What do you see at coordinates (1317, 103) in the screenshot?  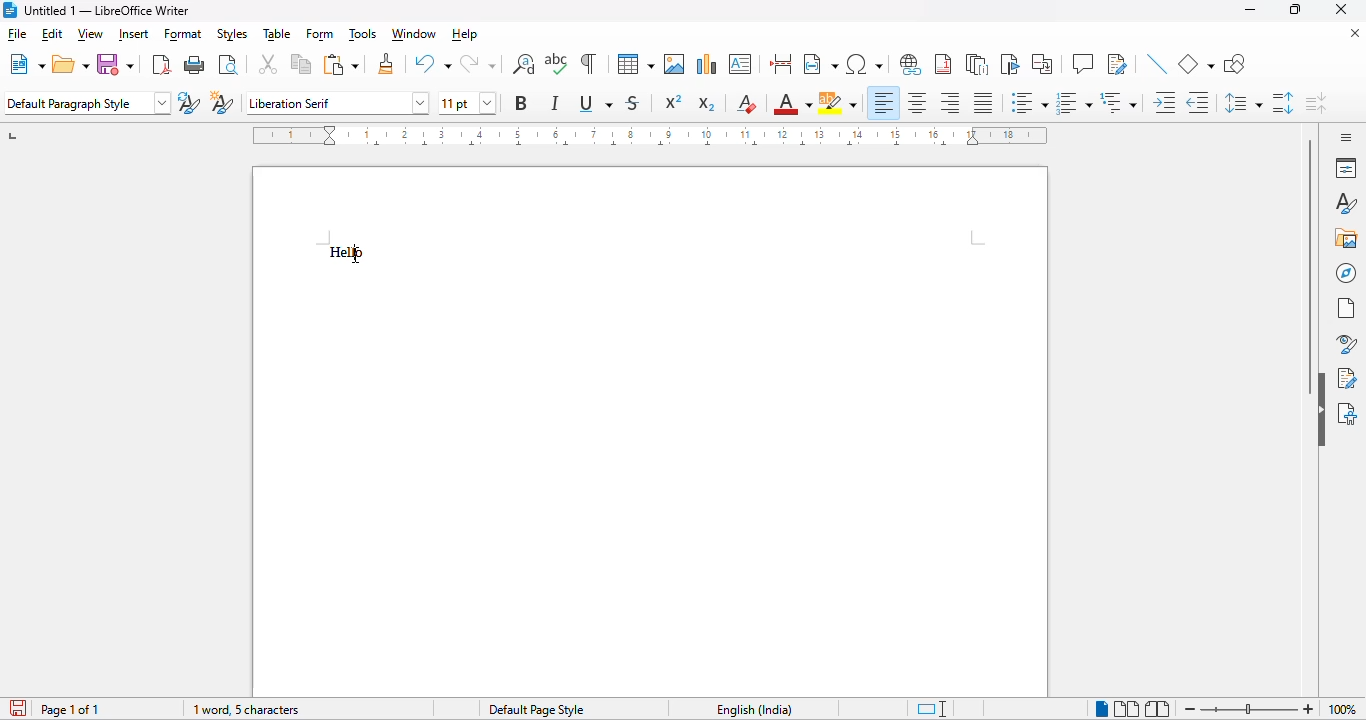 I see `decrease paragraph spacing` at bounding box center [1317, 103].